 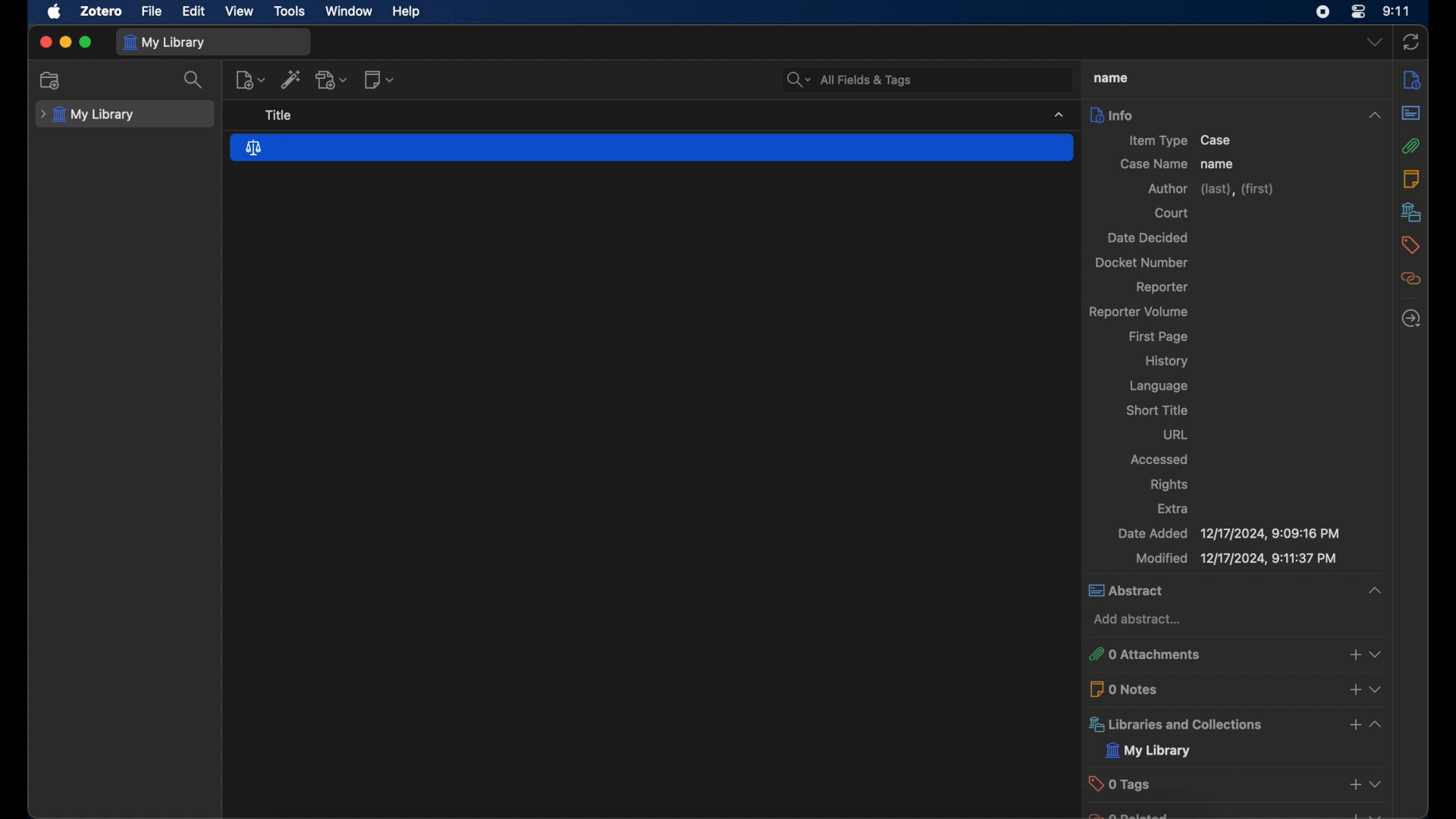 What do you see at coordinates (1168, 362) in the screenshot?
I see `history` at bounding box center [1168, 362].